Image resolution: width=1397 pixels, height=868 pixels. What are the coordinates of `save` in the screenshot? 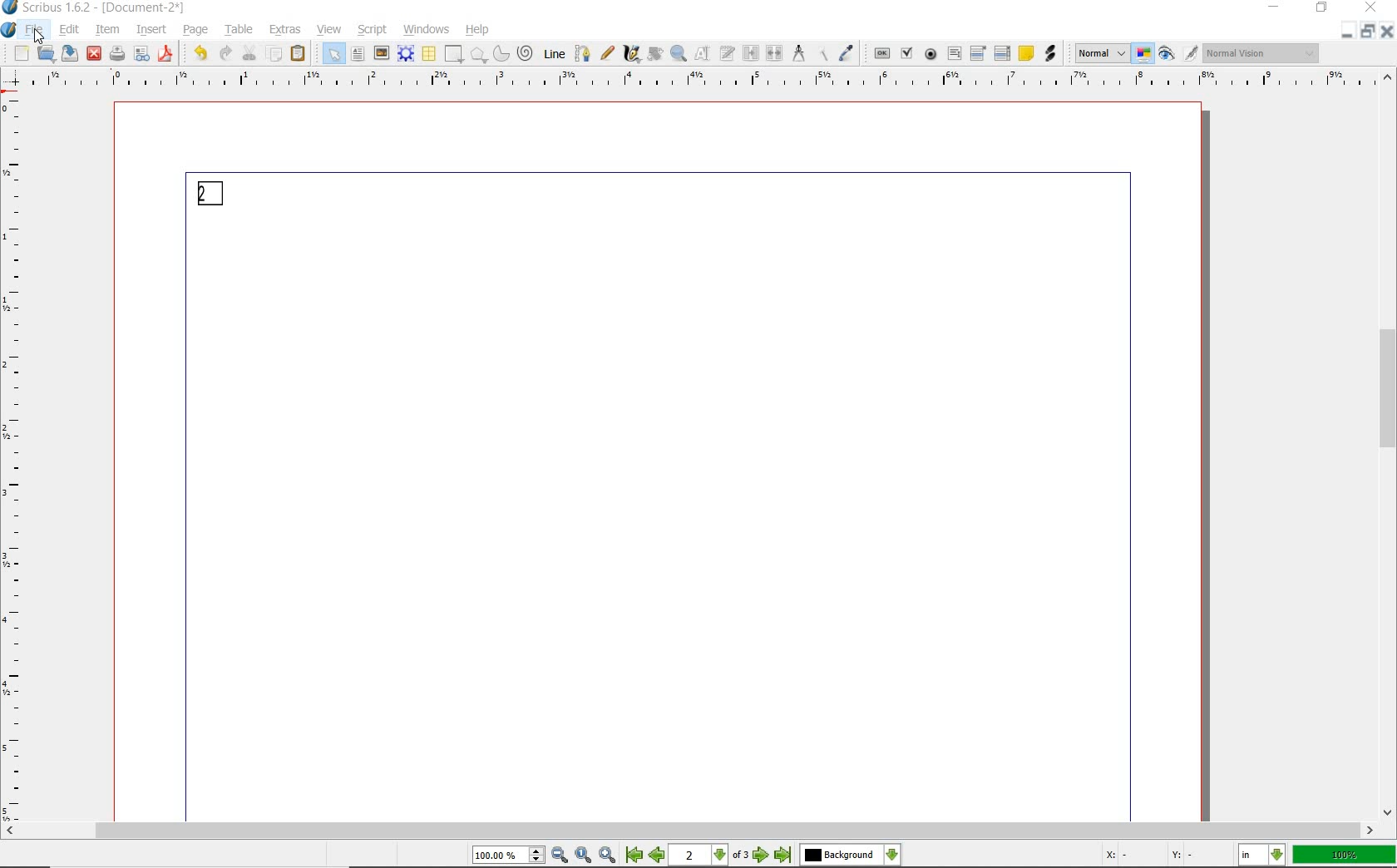 It's located at (70, 54).